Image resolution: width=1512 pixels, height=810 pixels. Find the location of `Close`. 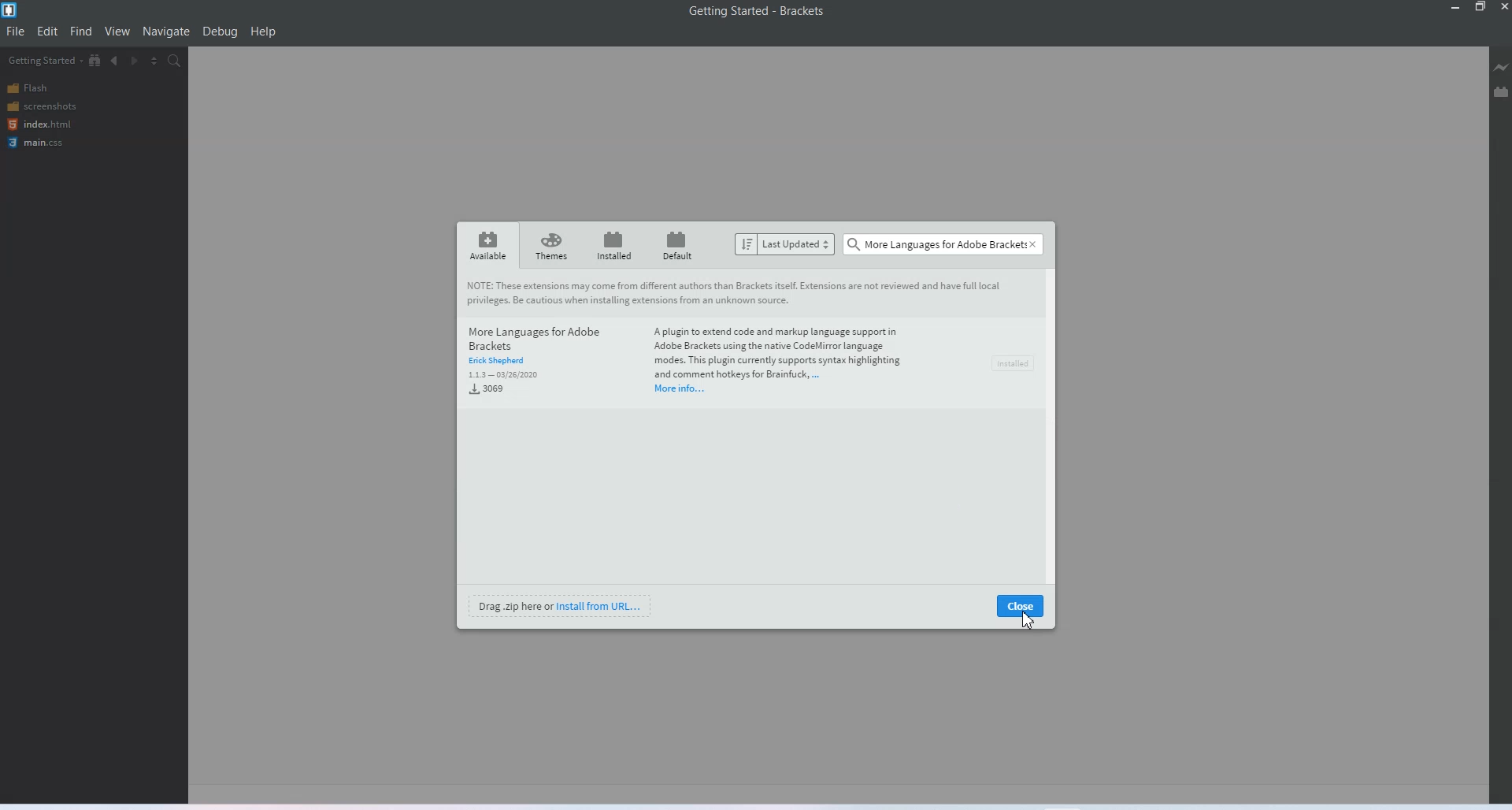

Close is located at coordinates (1503, 7).